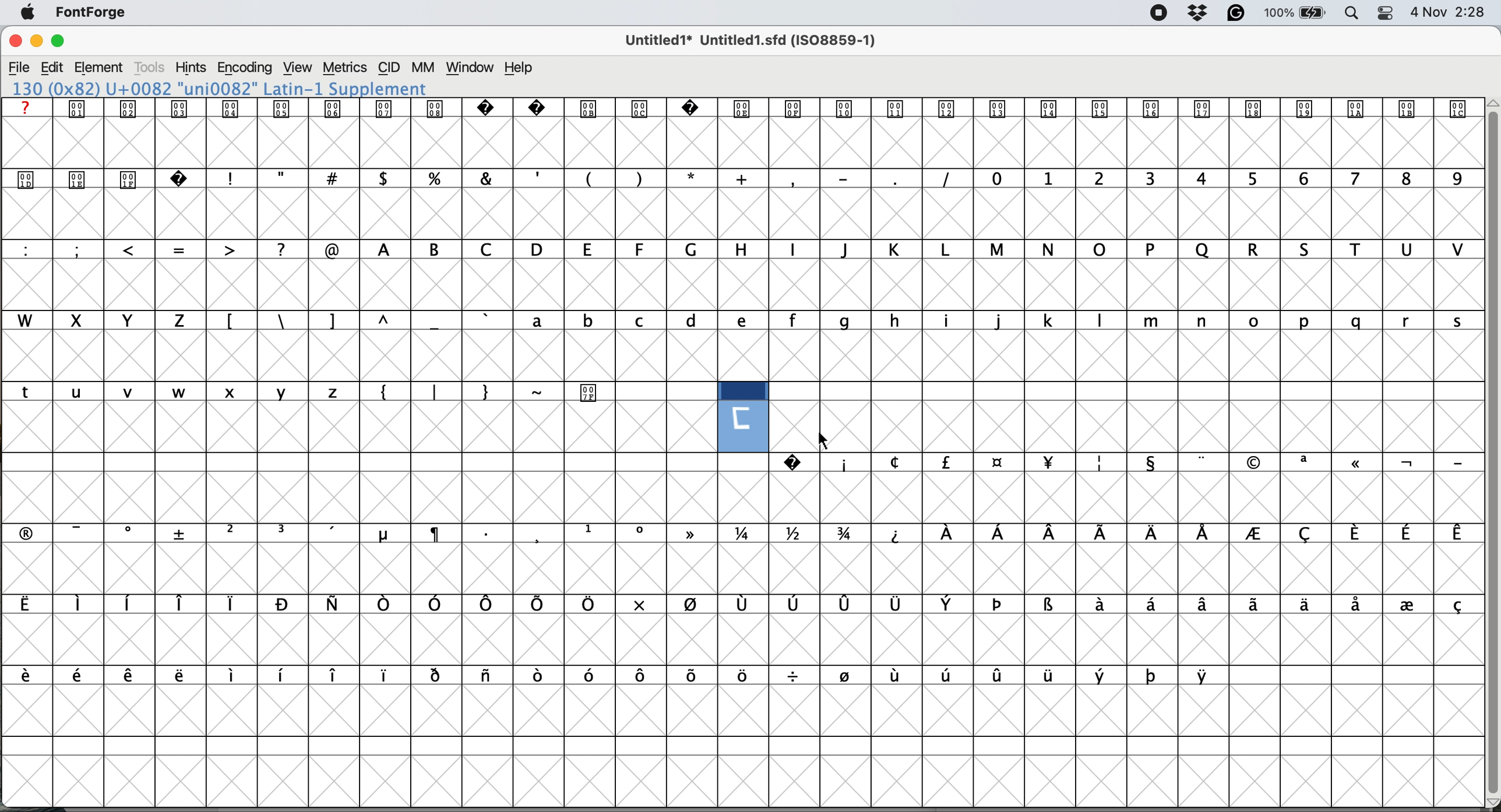 The width and height of the screenshot is (1501, 812). Describe the element at coordinates (28, 13) in the screenshot. I see `system logo` at that location.